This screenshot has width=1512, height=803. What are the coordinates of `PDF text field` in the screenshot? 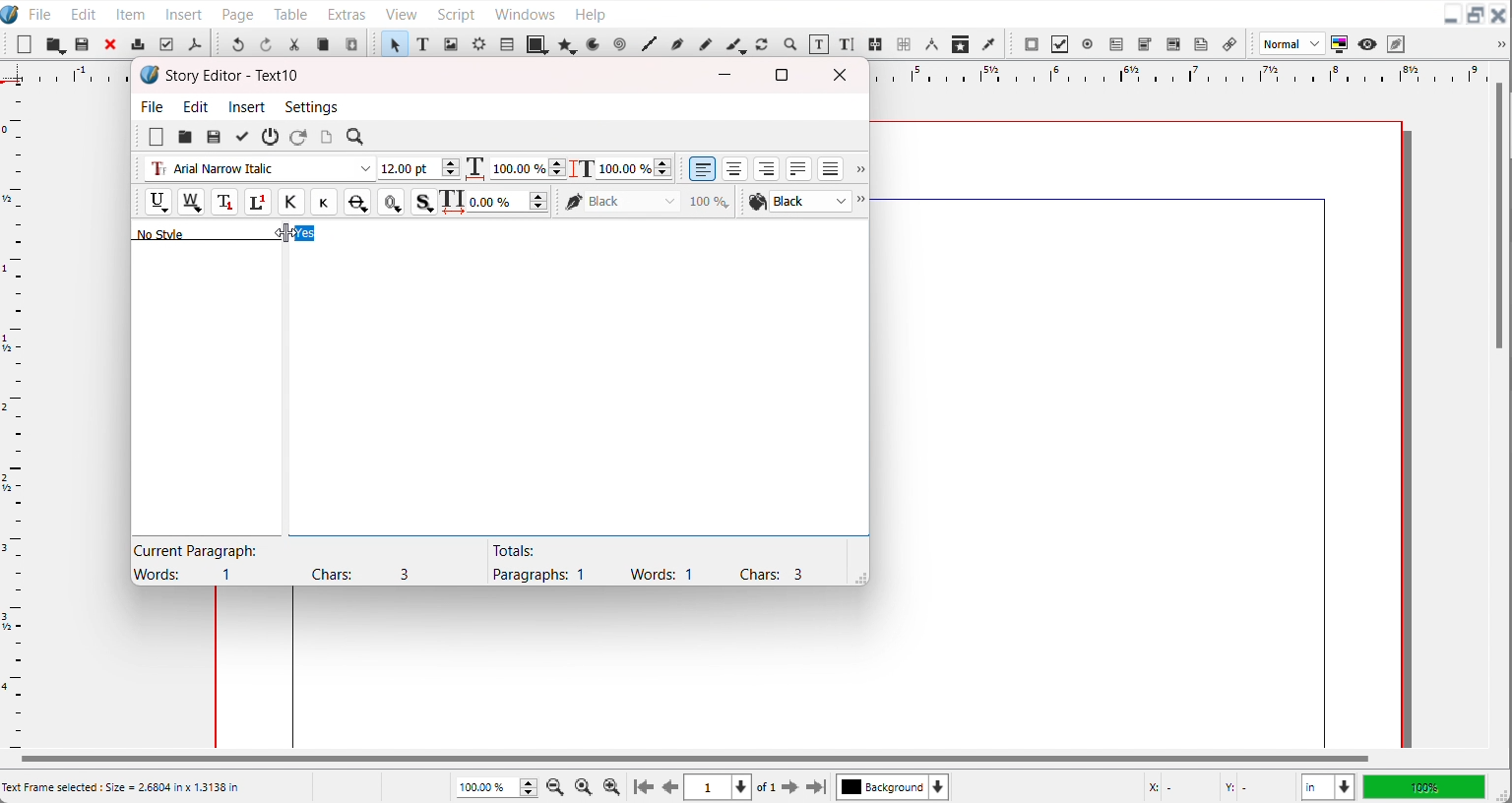 It's located at (1115, 45).